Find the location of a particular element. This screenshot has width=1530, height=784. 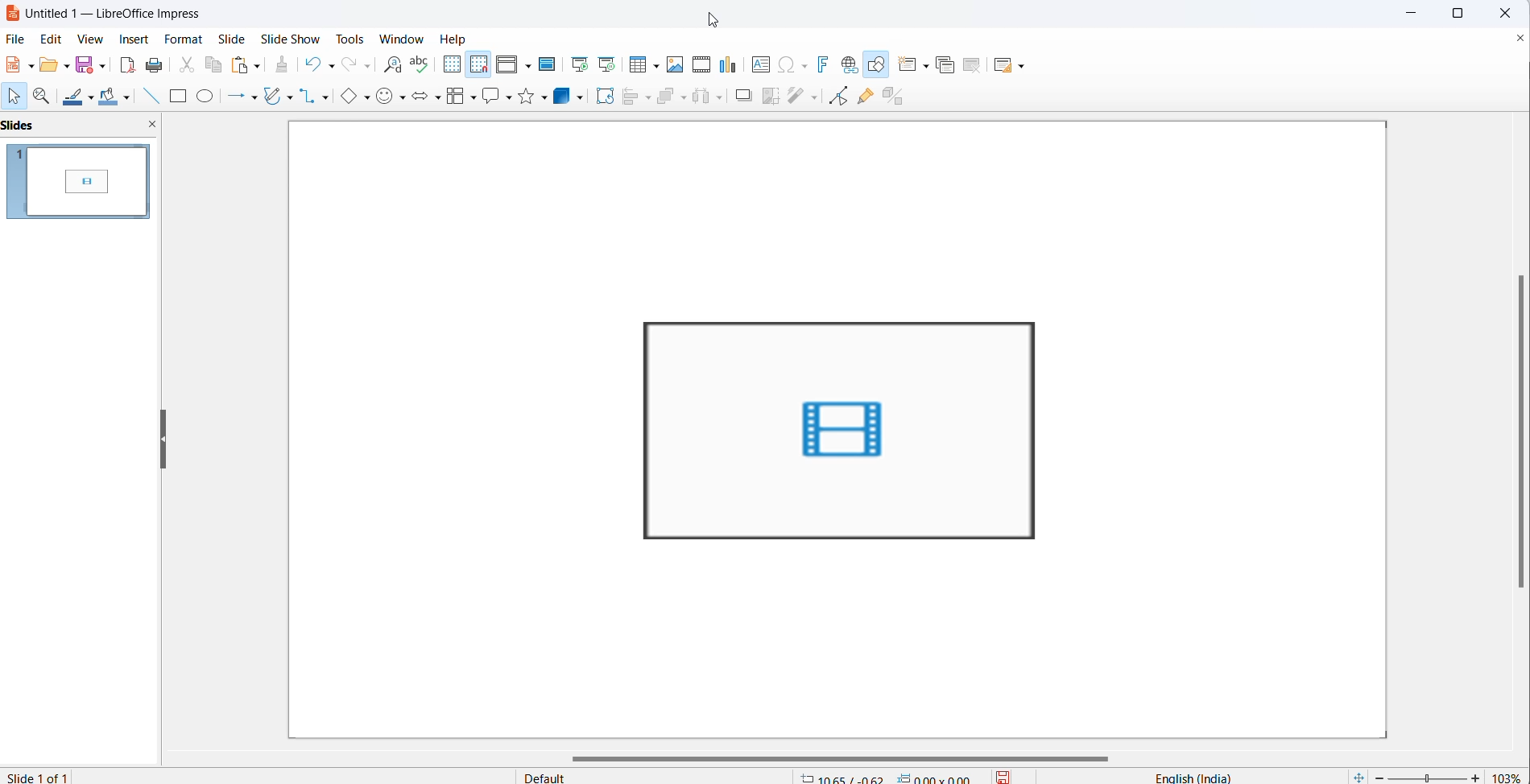

selection markup is located at coordinates (838, 317).